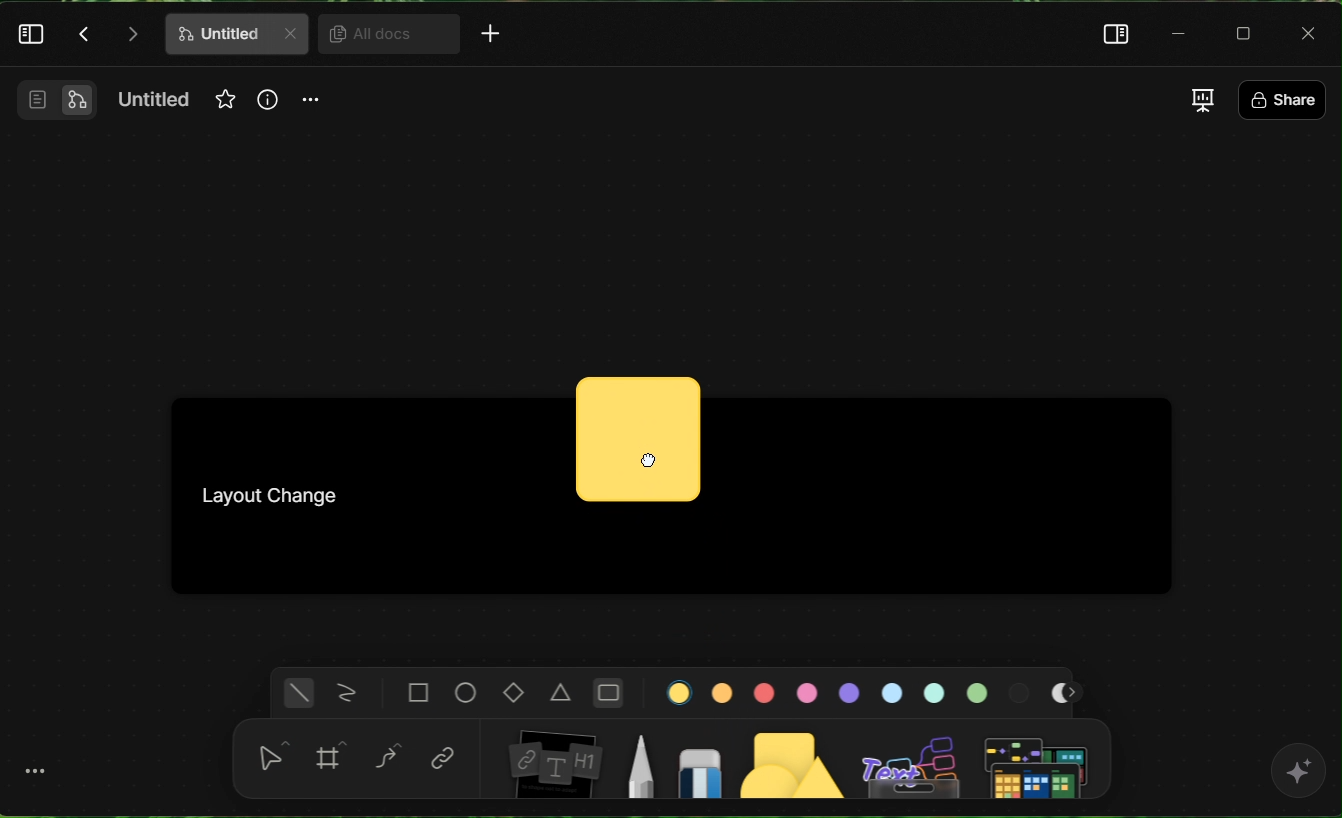 The width and height of the screenshot is (1342, 818). Describe the element at coordinates (417, 692) in the screenshot. I see `square` at that location.